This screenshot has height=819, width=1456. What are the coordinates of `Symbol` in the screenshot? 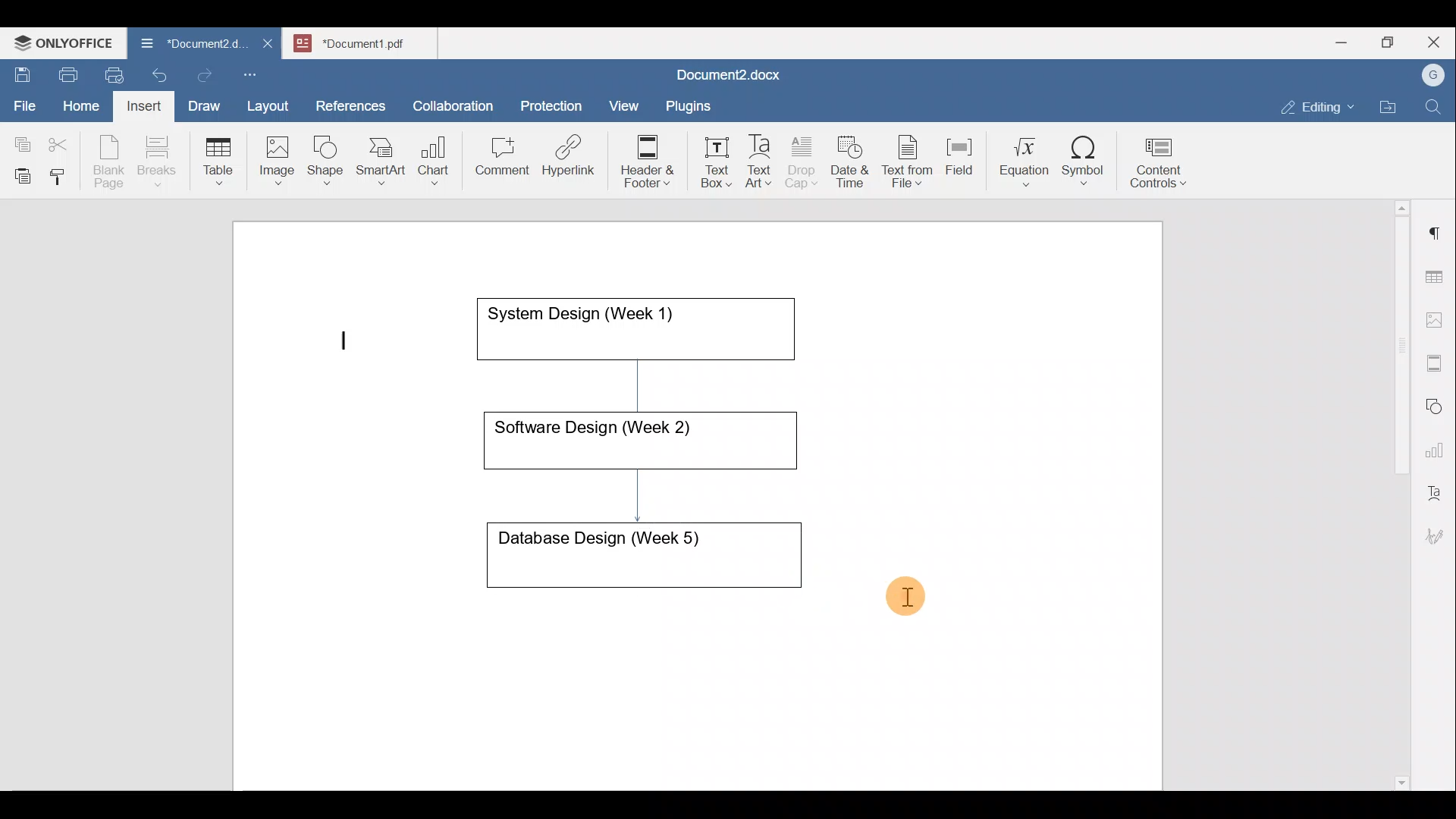 It's located at (1084, 165).